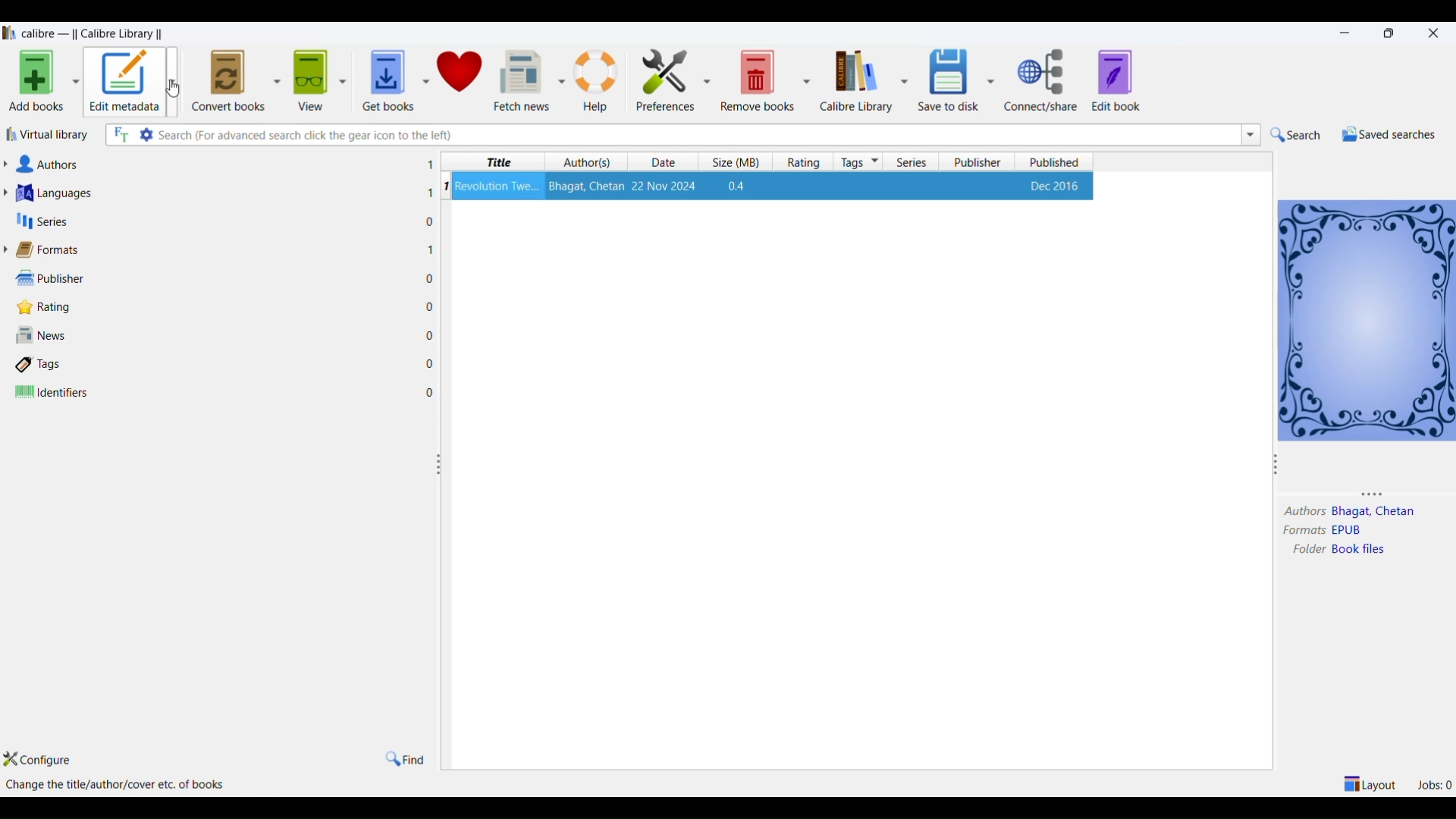 This screenshot has width=1456, height=819. Describe the element at coordinates (52, 165) in the screenshot. I see `authors and number of authors` at that location.